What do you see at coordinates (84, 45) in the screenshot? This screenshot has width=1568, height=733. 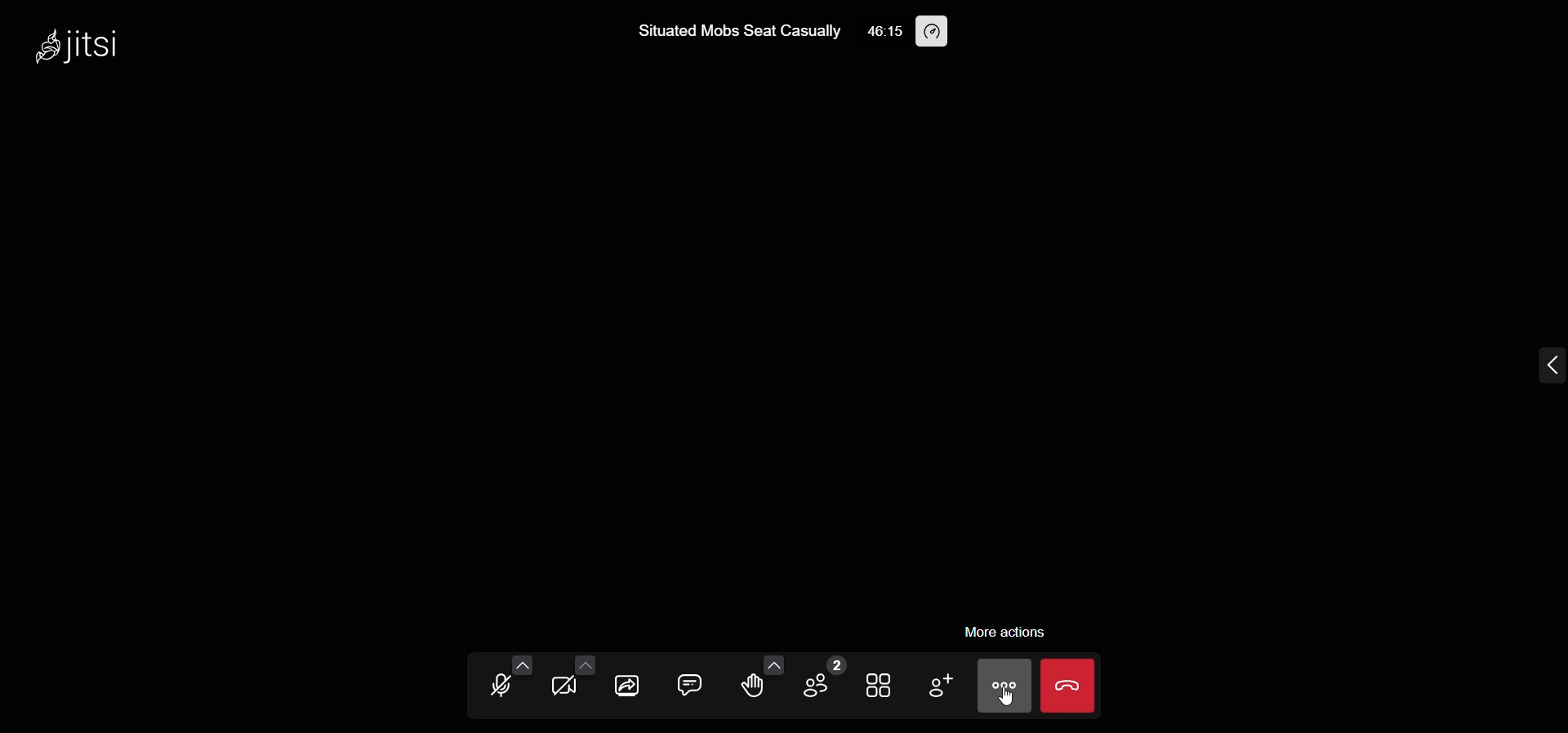 I see `Jitsi` at bounding box center [84, 45].